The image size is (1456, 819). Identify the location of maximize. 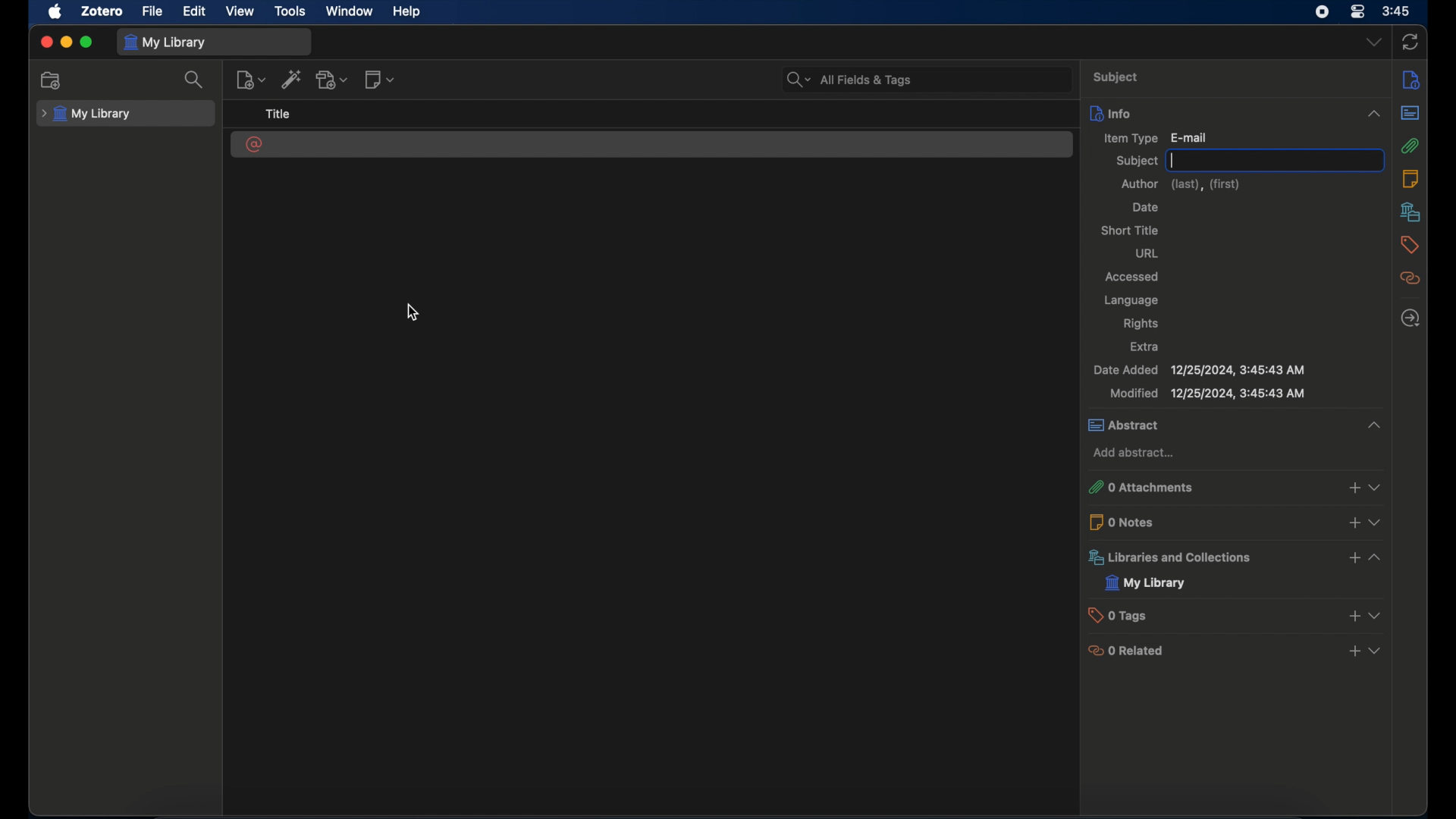
(88, 42).